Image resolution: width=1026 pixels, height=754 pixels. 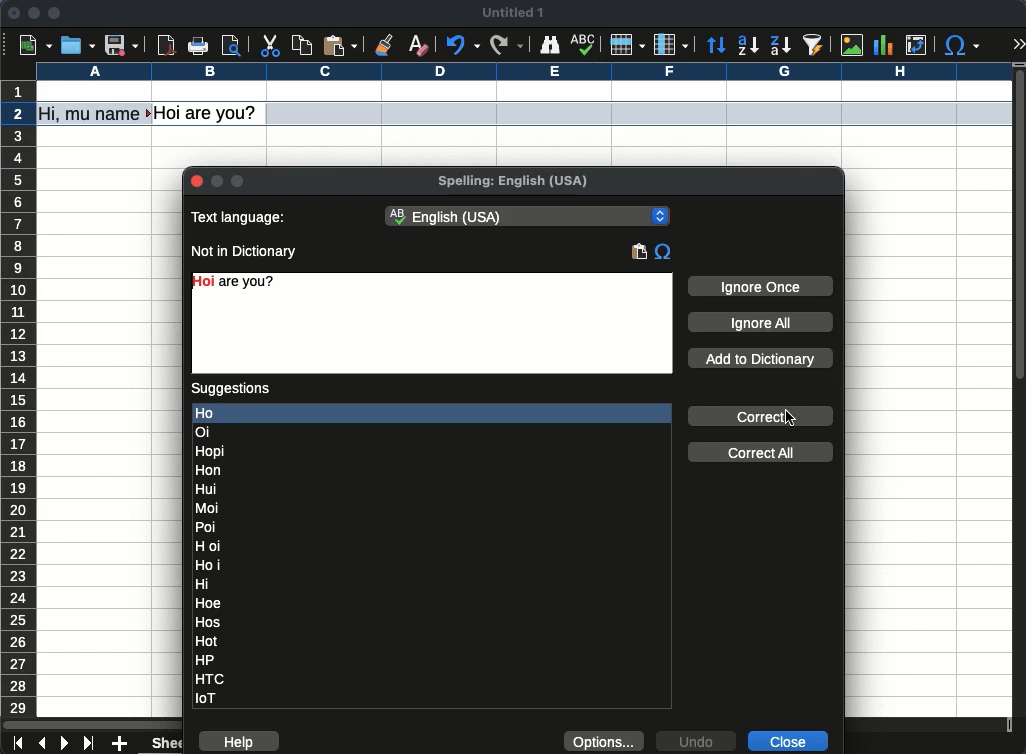 What do you see at coordinates (20, 424) in the screenshot?
I see `row` at bounding box center [20, 424].